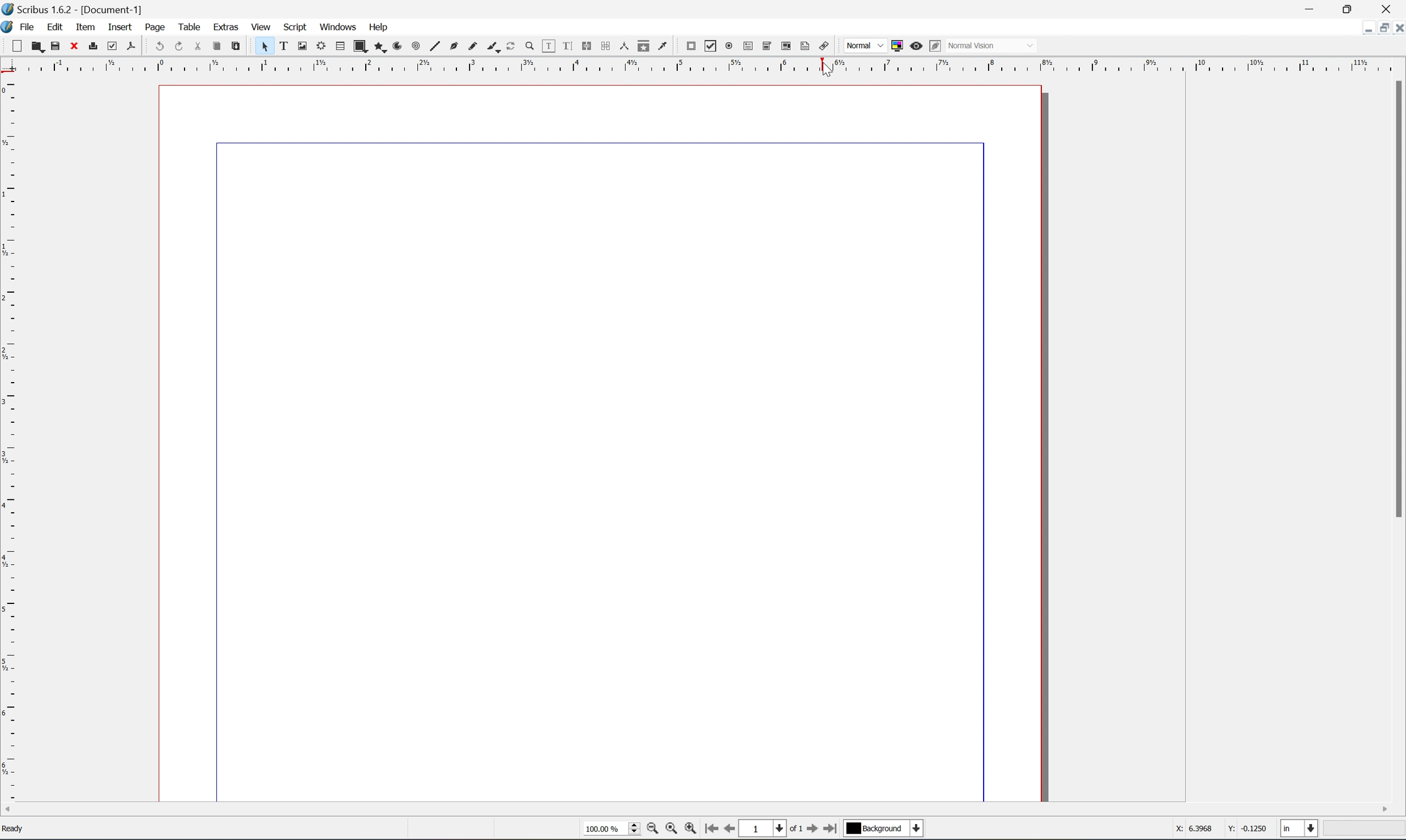  I want to click on arc, so click(398, 46).